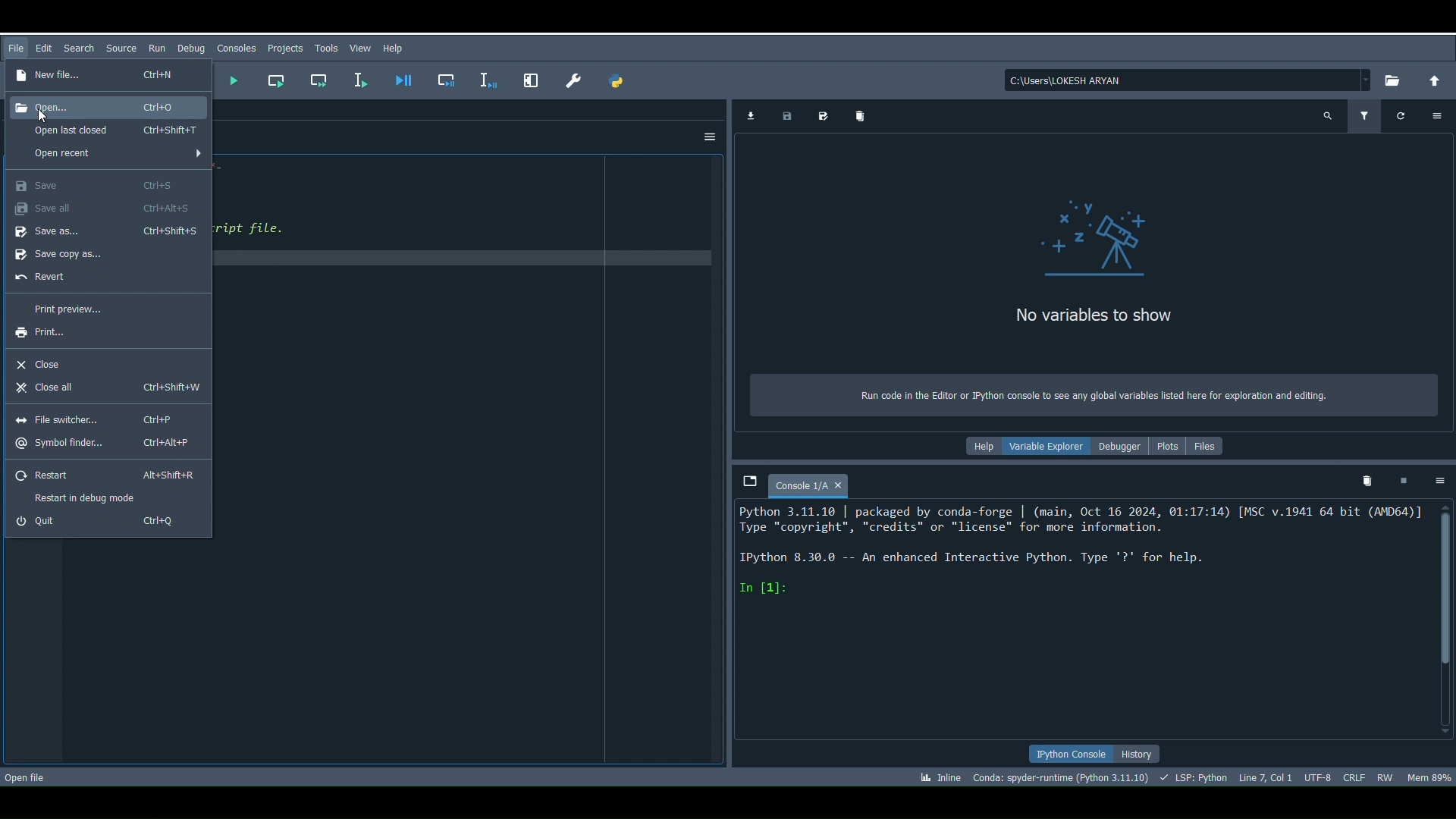 The image size is (1456, 819). I want to click on Close all, so click(103, 388).